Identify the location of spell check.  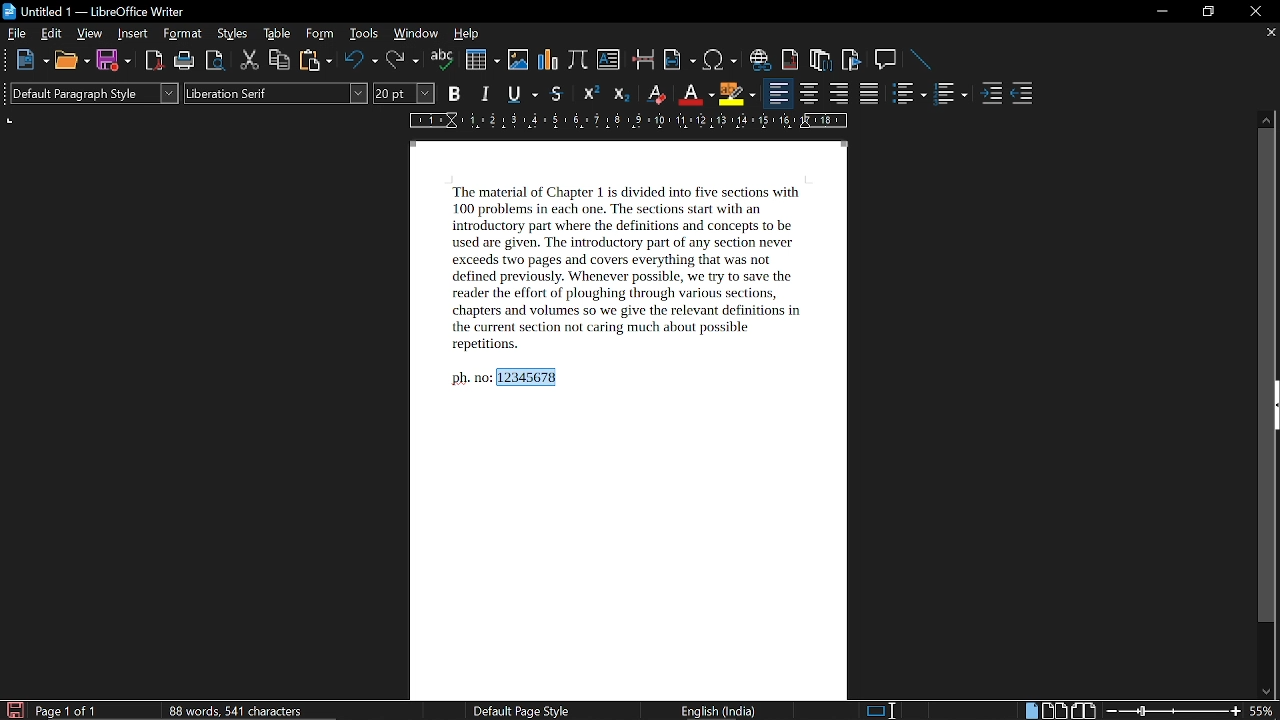
(443, 61).